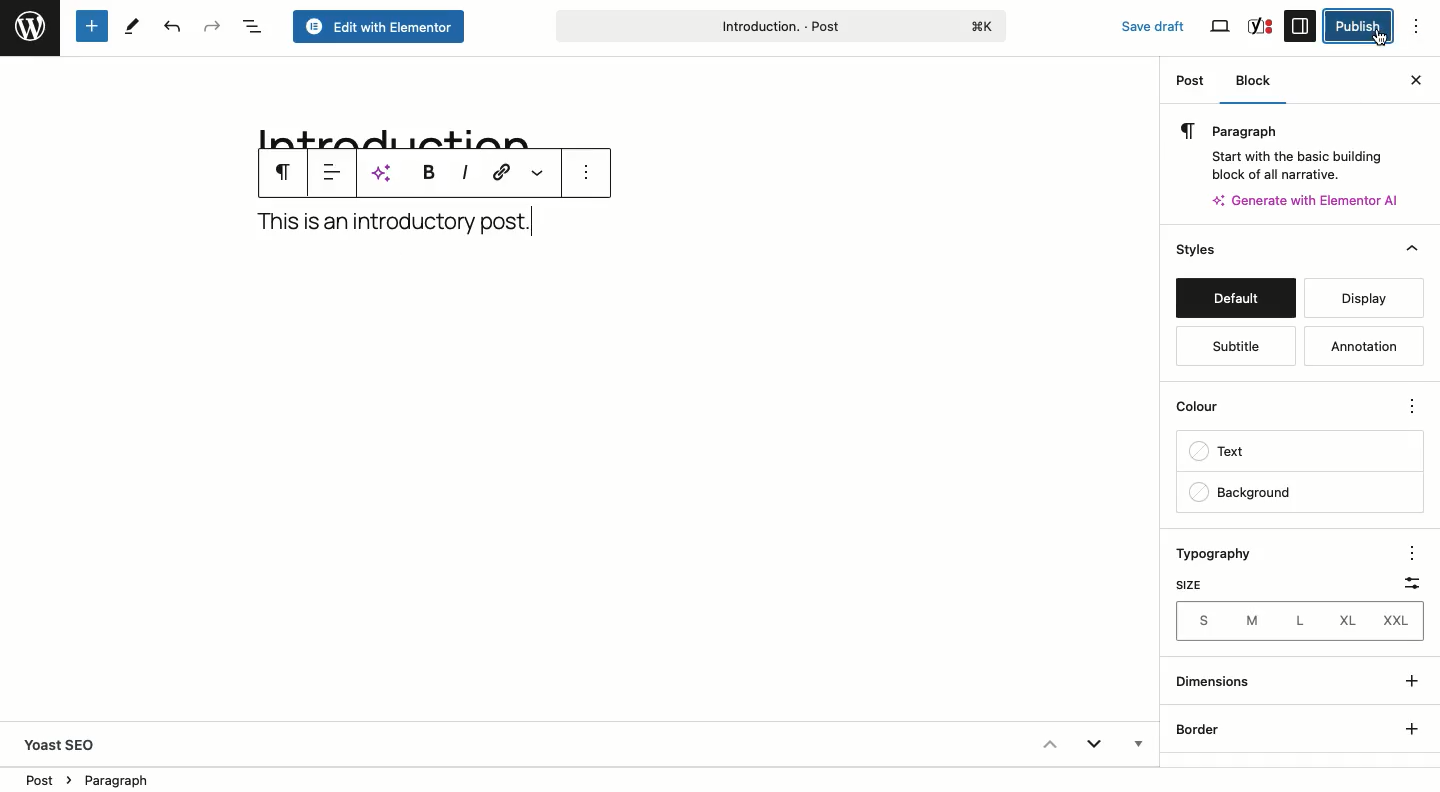 This screenshot has height=792, width=1440. Describe the element at coordinates (1201, 730) in the screenshot. I see `Border` at that location.